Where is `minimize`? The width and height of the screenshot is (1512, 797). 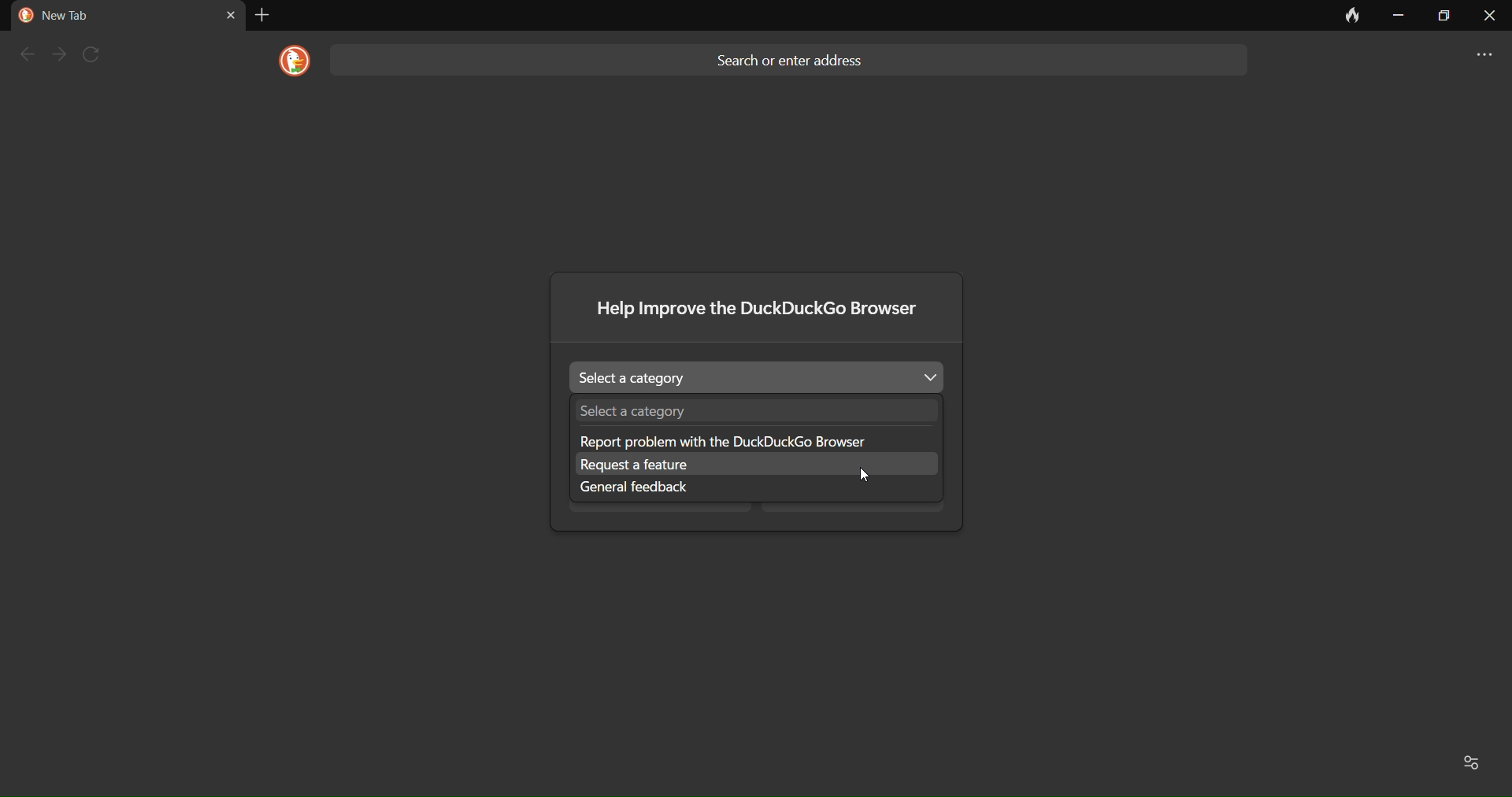
minimize is located at coordinates (1397, 16).